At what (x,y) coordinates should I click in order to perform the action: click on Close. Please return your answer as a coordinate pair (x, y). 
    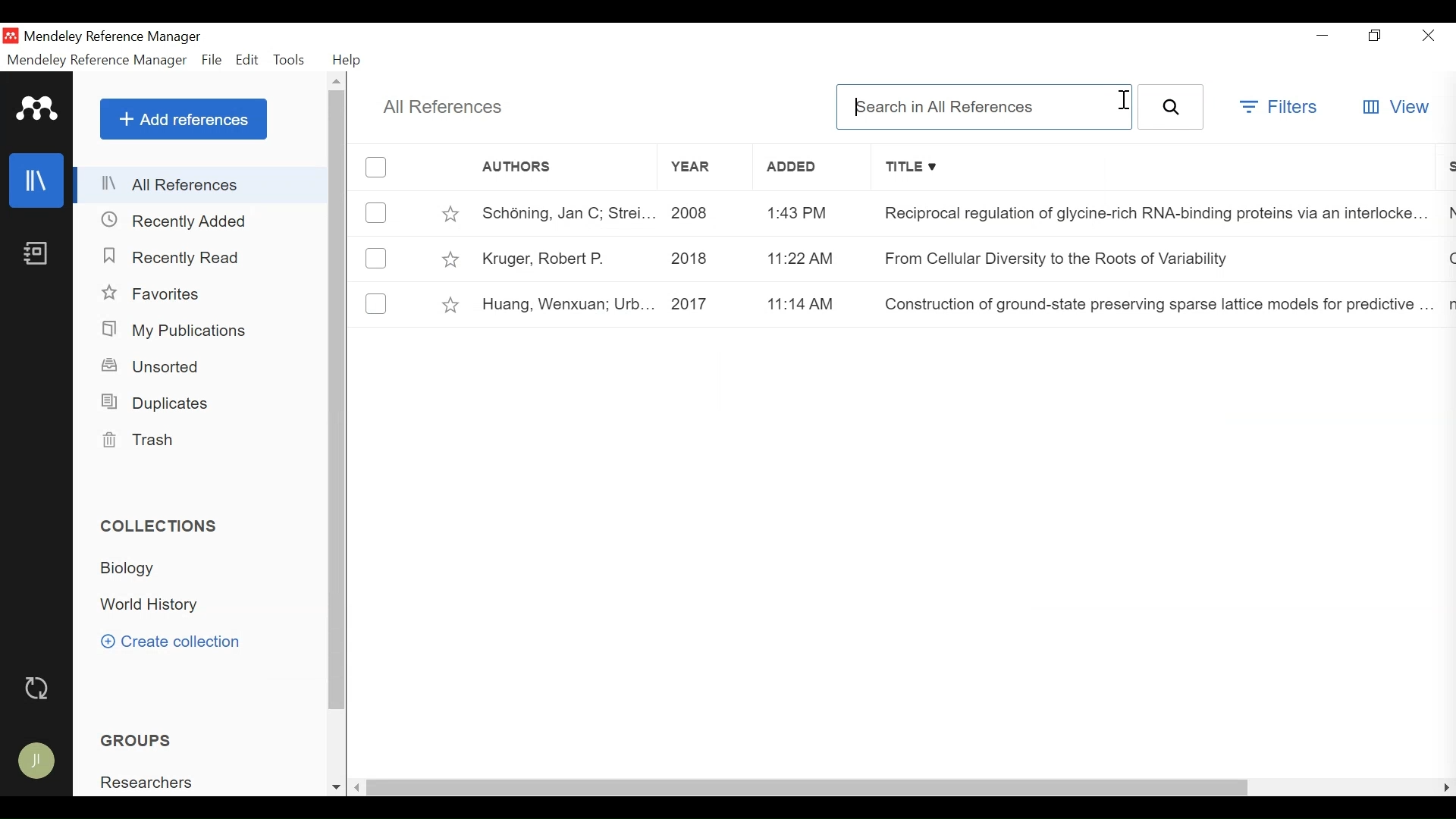
    Looking at the image, I should click on (1429, 35).